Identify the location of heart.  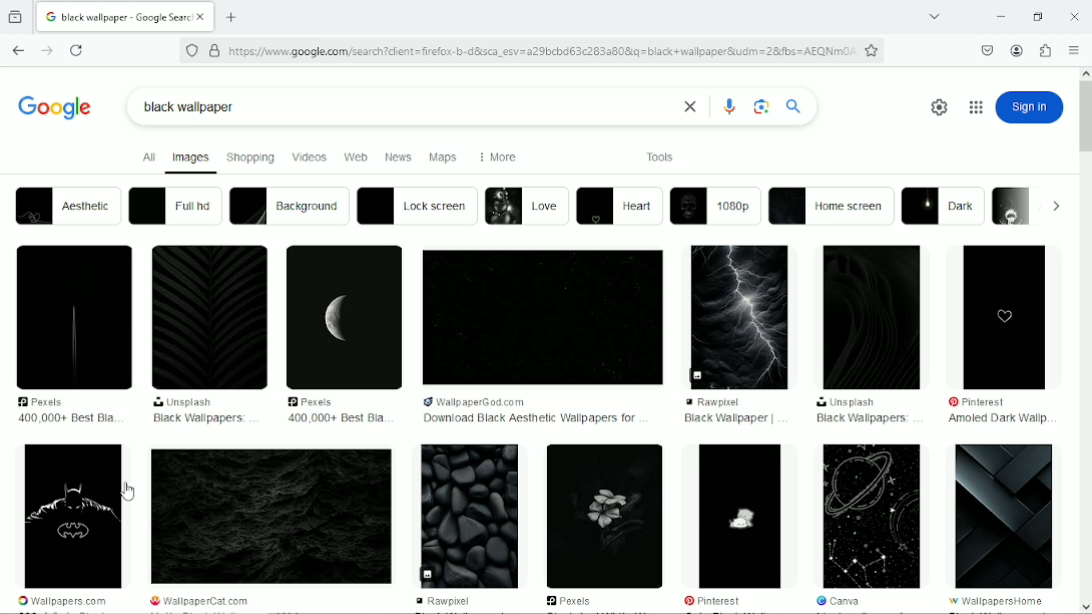
(620, 207).